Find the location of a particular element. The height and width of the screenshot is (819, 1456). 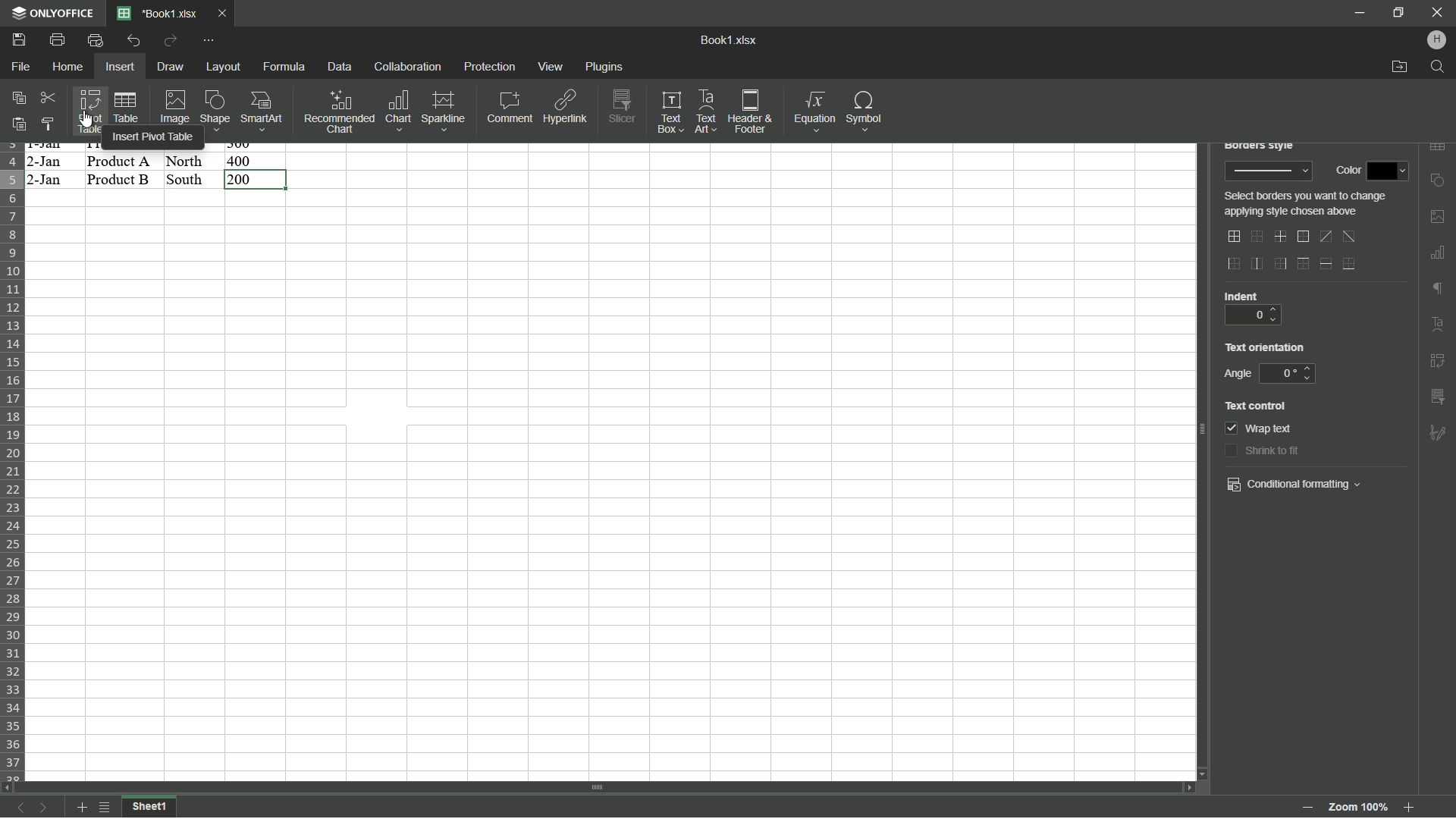

close app is located at coordinates (1437, 13).